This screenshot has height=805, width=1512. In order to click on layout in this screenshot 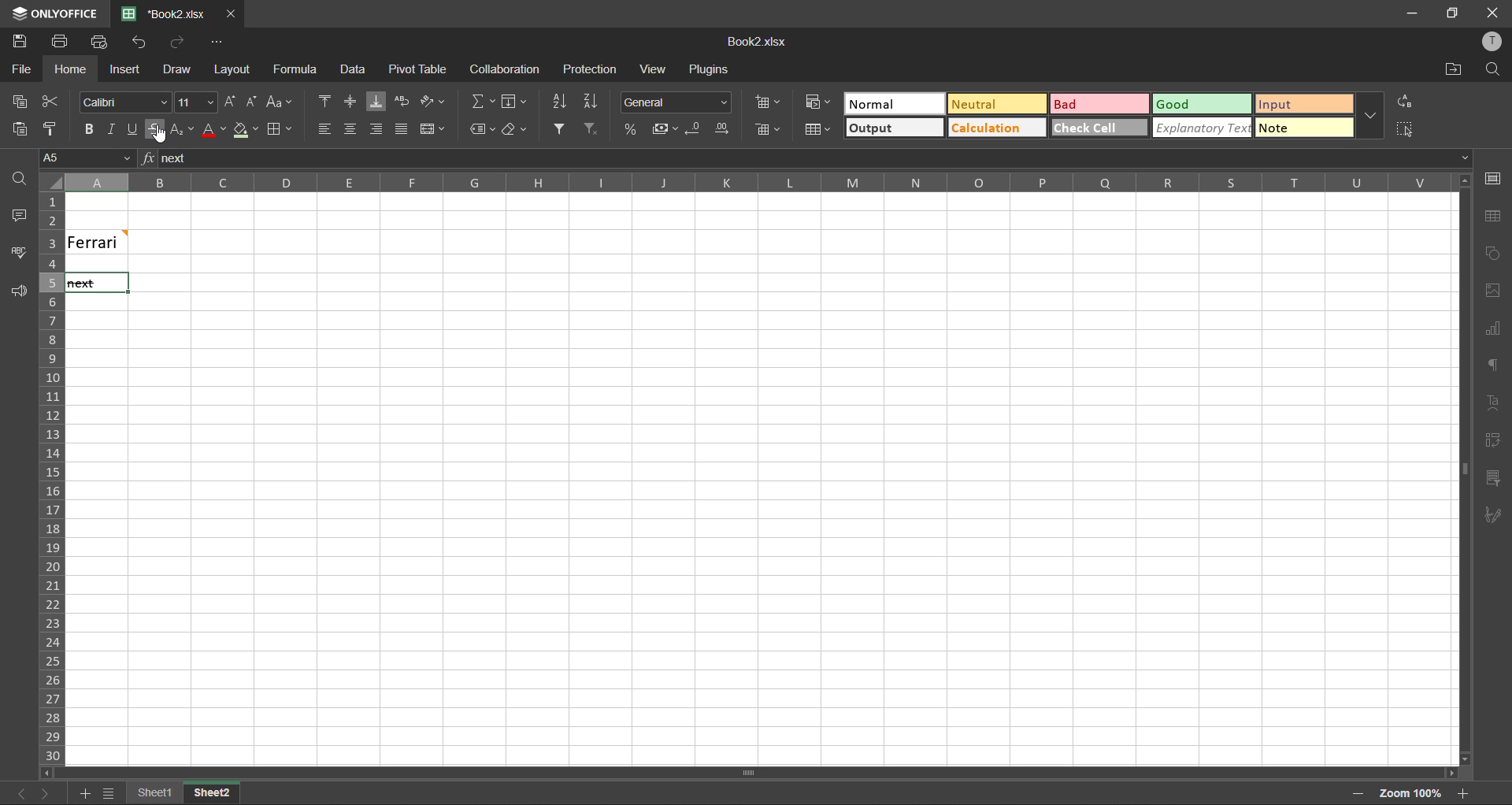, I will do `click(231, 69)`.